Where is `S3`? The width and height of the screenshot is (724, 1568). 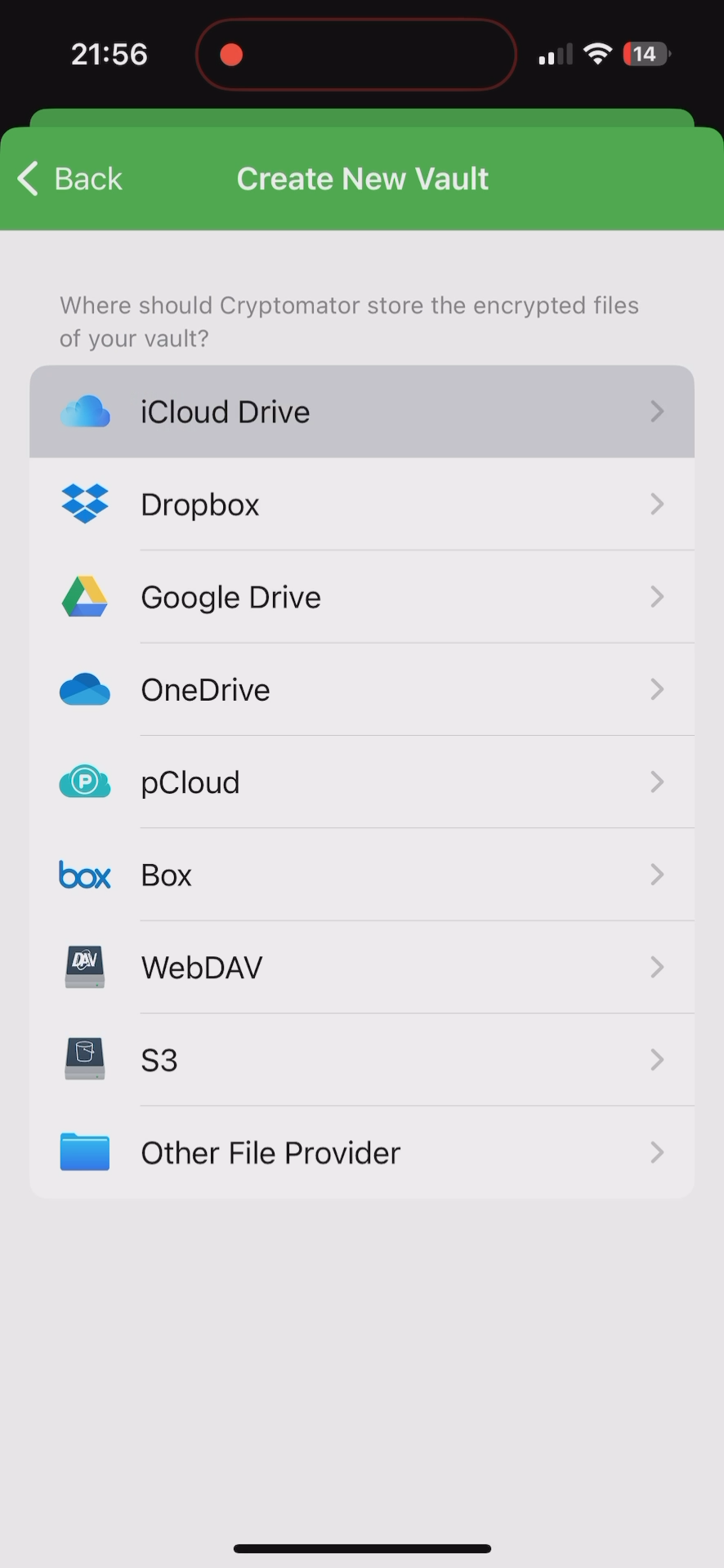 S3 is located at coordinates (361, 1061).